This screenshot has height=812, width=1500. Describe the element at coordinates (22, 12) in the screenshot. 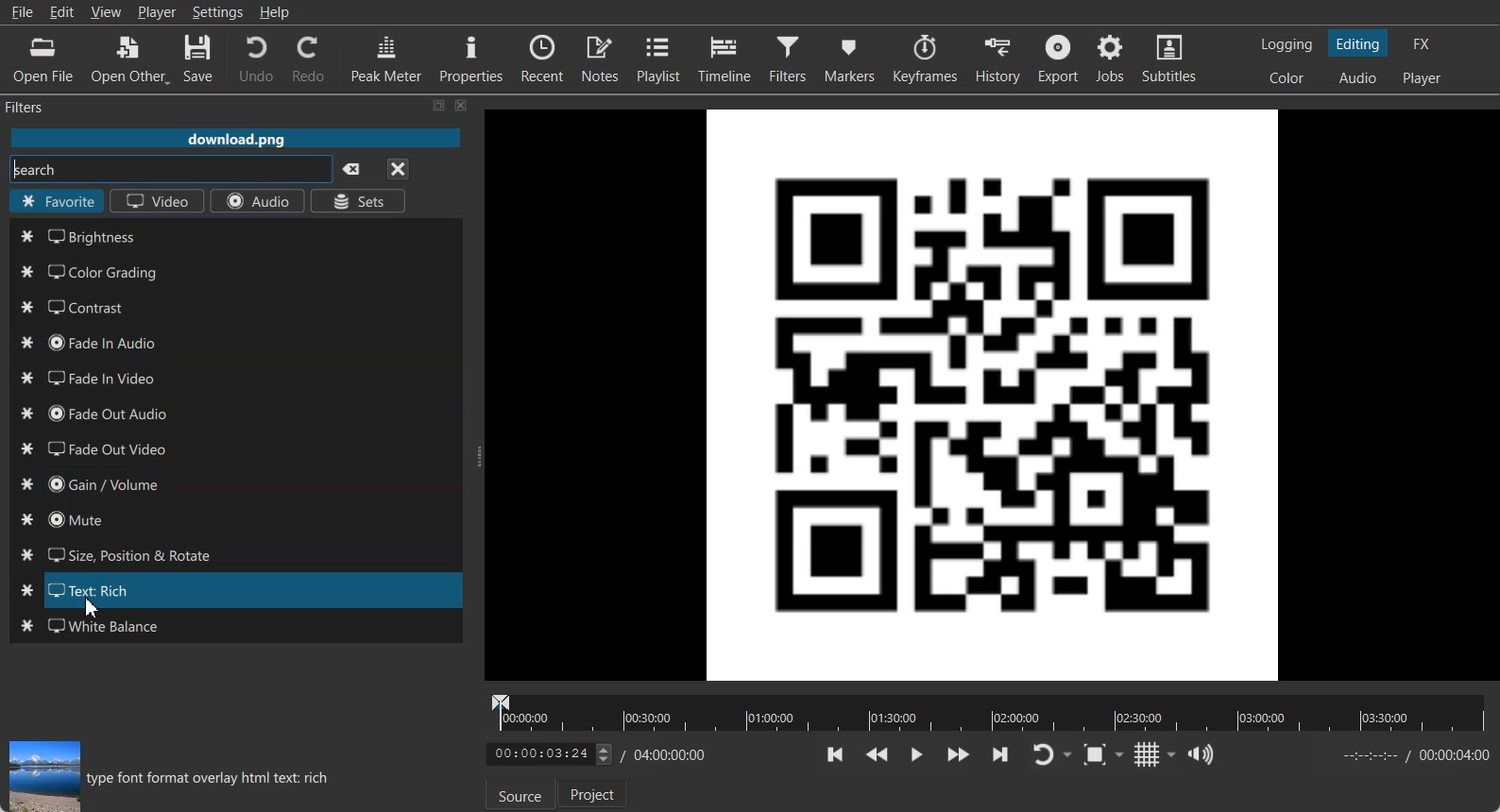

I see `File` at that location.